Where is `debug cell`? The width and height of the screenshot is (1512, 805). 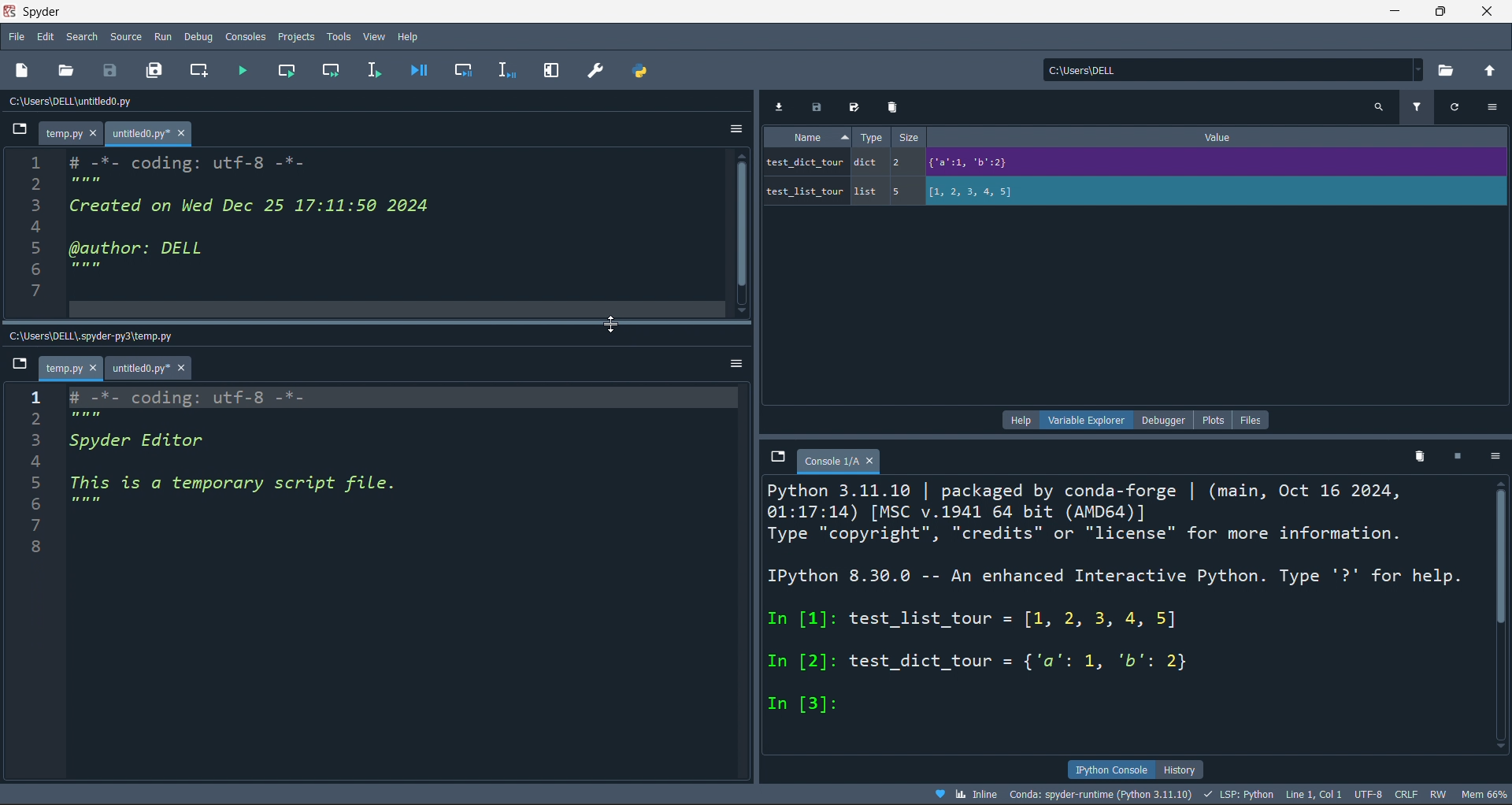
debug cell is located at coordinates (463, 70).